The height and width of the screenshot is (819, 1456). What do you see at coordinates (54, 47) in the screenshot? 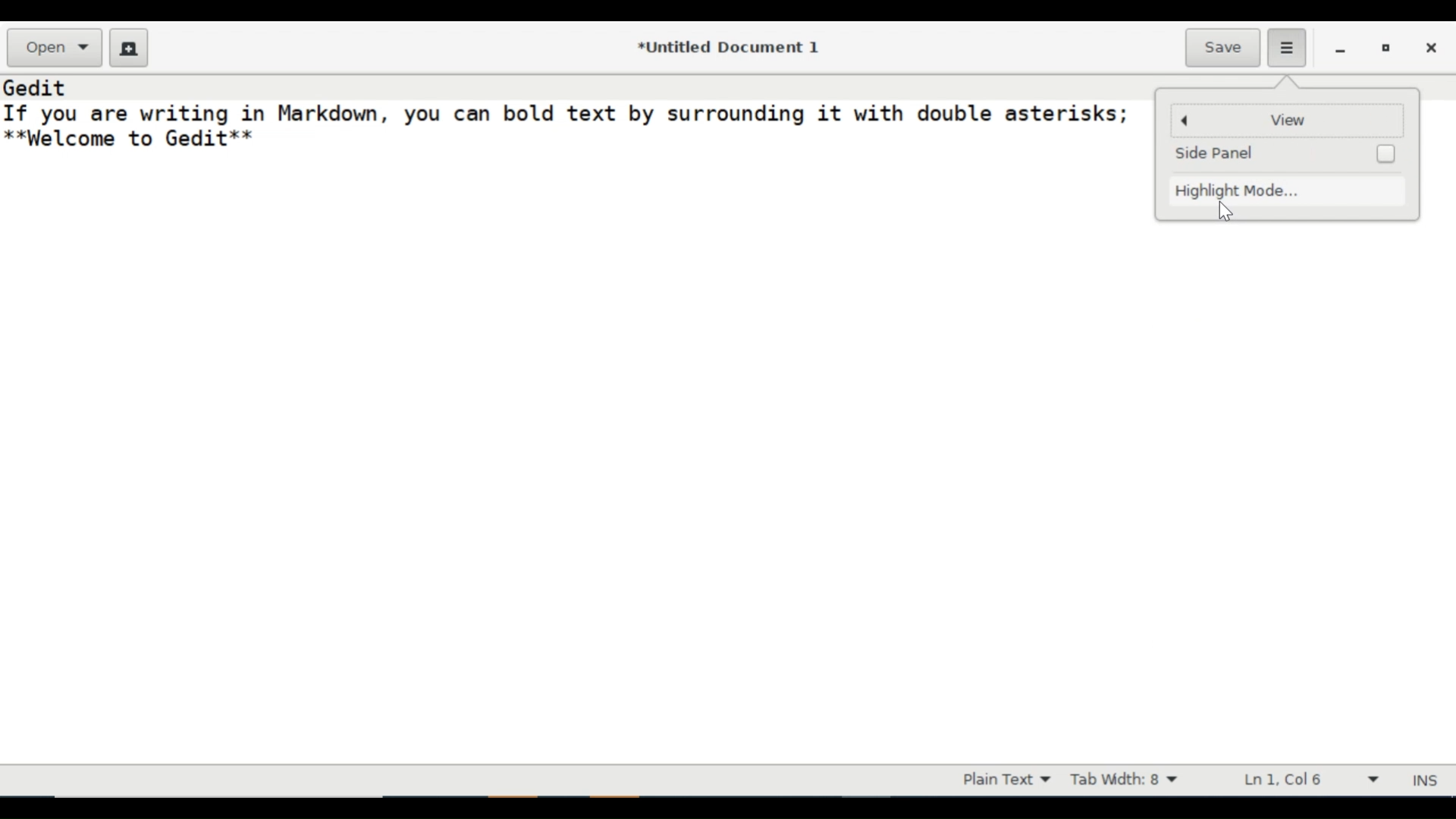
I see `Open` at bounding box center [54, 47].